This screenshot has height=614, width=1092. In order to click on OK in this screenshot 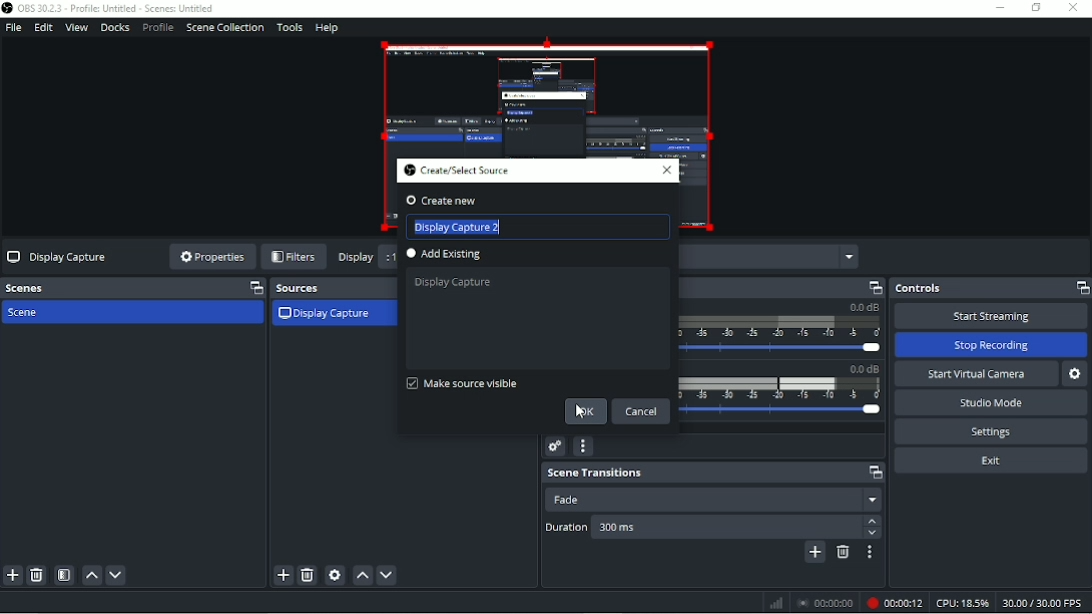, I will do `click(585, 411)`.